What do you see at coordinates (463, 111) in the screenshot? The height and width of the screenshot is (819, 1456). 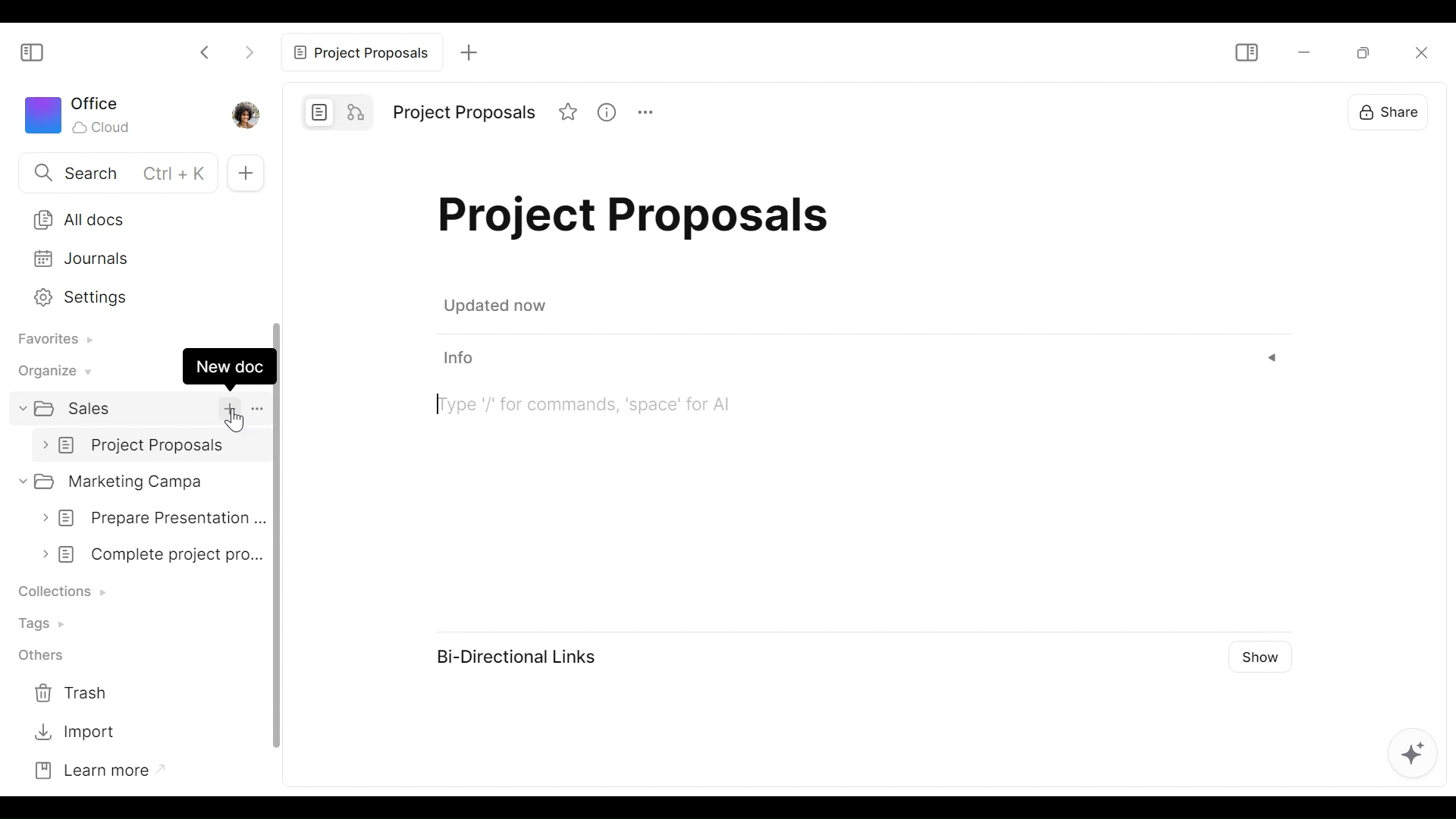 I see `project proposals` at bounding box center [463, 111].